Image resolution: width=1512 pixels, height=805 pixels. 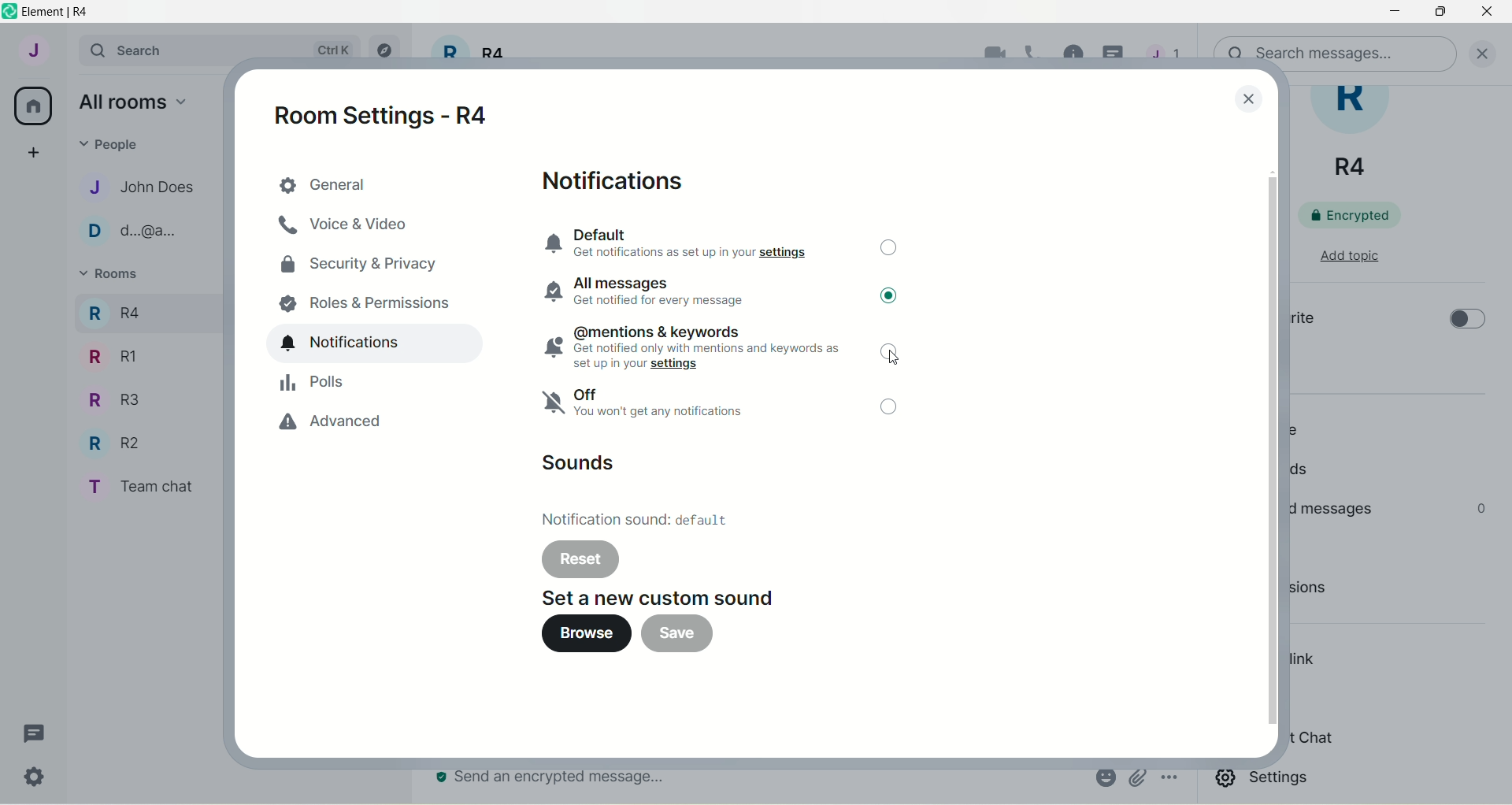 I want to click on R RI, so click(x=113, y=356).